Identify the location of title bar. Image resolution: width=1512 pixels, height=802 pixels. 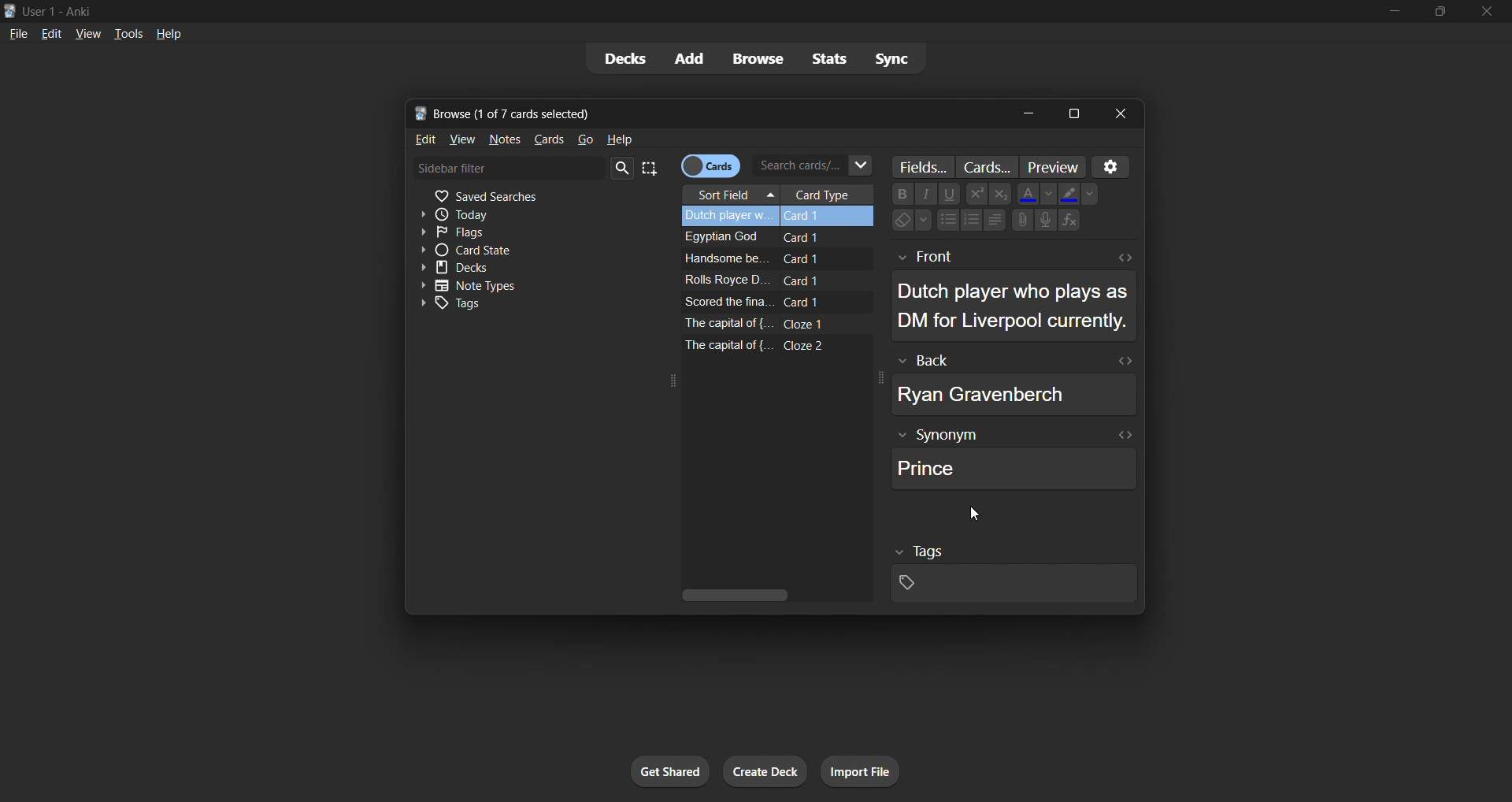
(708, 113).